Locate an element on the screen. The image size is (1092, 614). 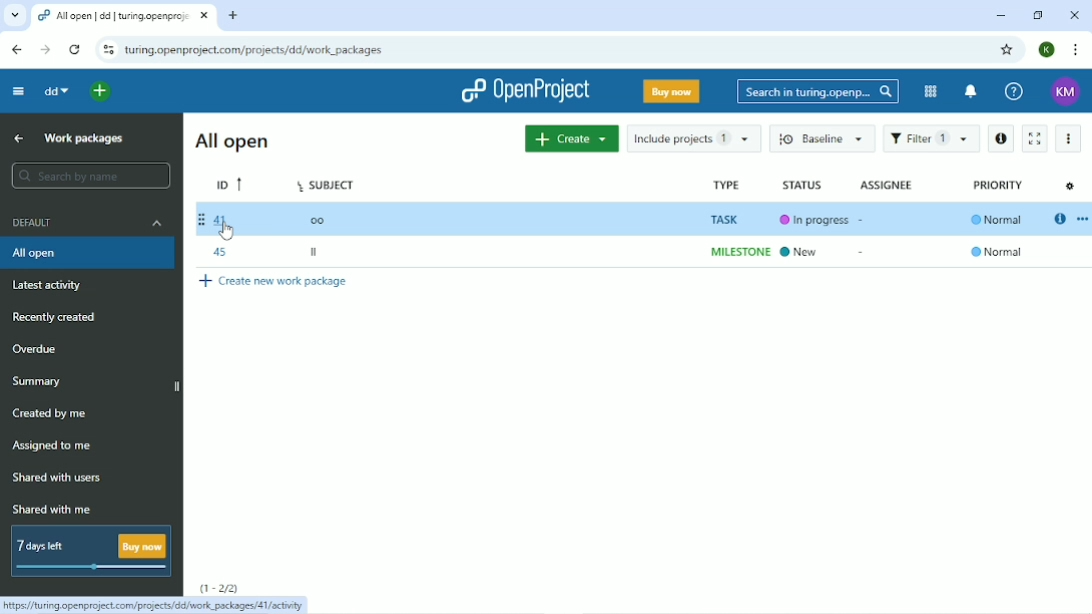
Open details view is located at coordinates (1001, 138).